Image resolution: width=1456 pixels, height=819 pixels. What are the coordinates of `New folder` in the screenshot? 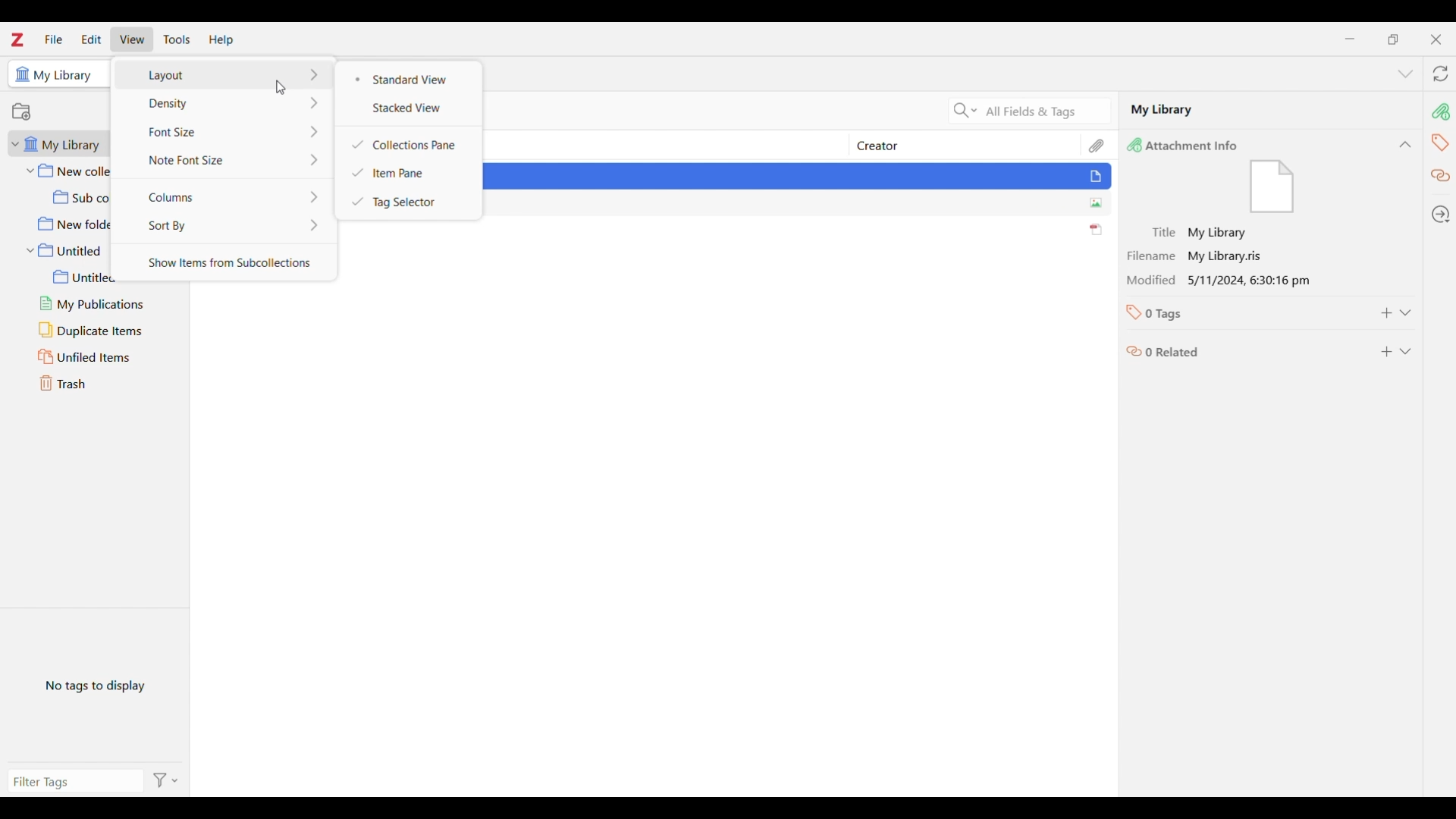 It's located at (67, 224).